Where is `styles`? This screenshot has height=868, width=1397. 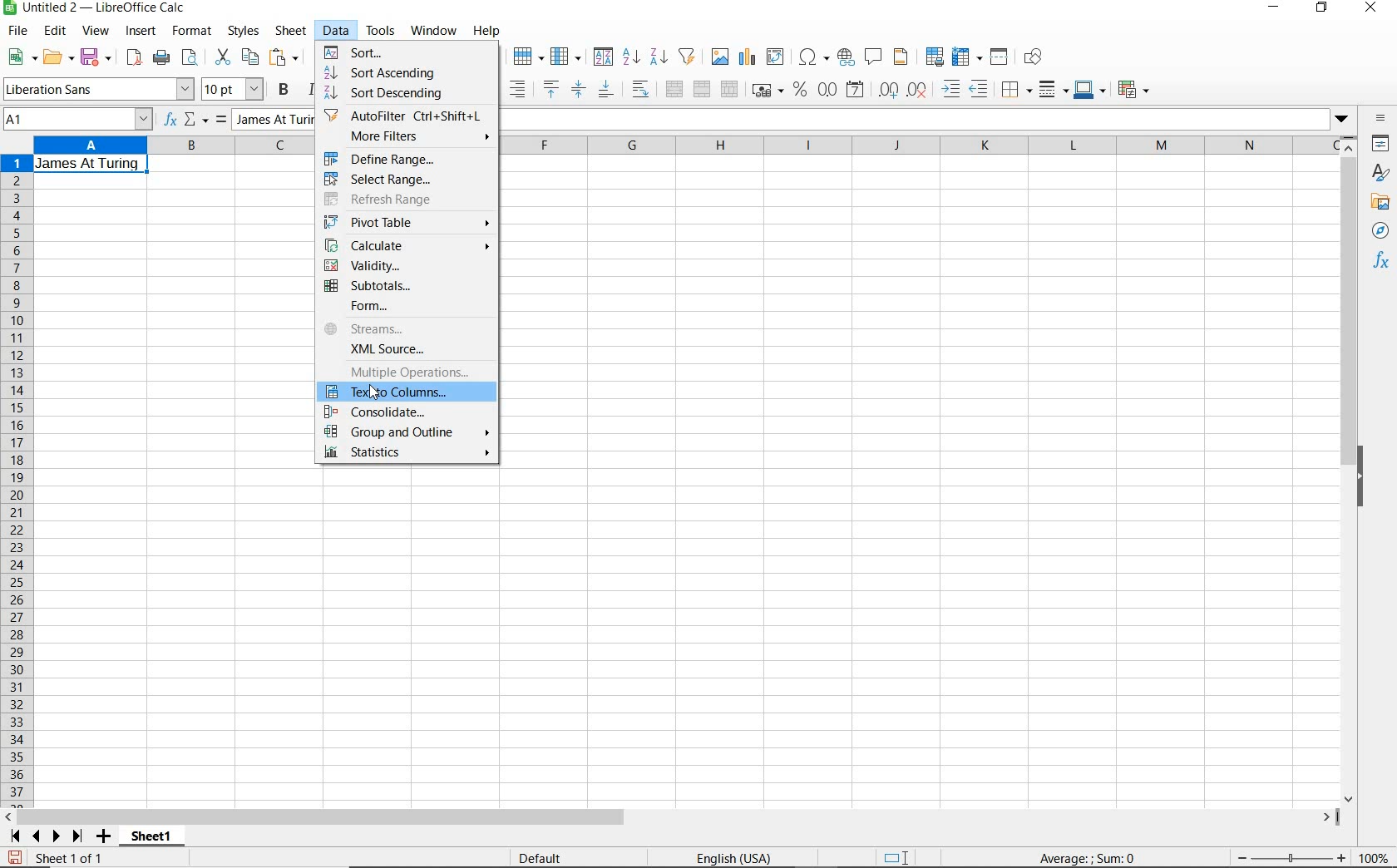 styles is located at coordinates (244, 33).